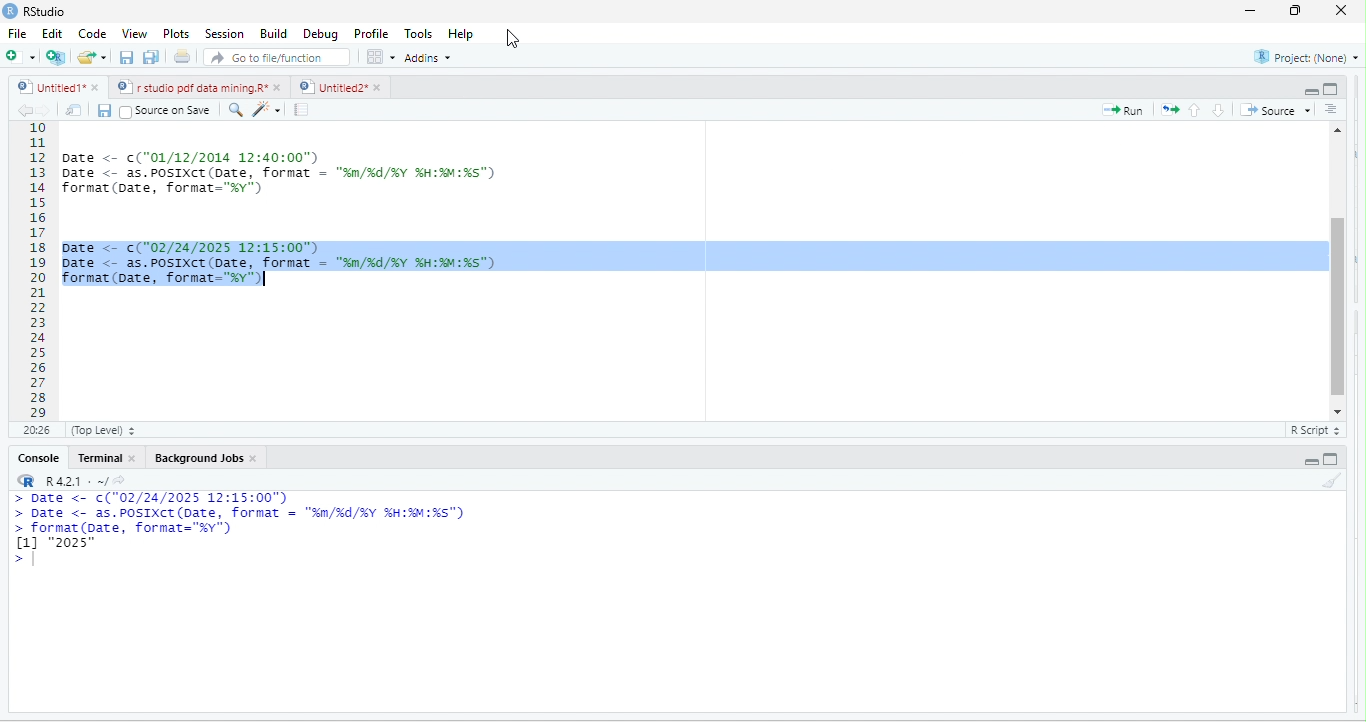  Describe the element at coordinates (332, 87) in the screenshot. I see ` Untitled2` at that location.